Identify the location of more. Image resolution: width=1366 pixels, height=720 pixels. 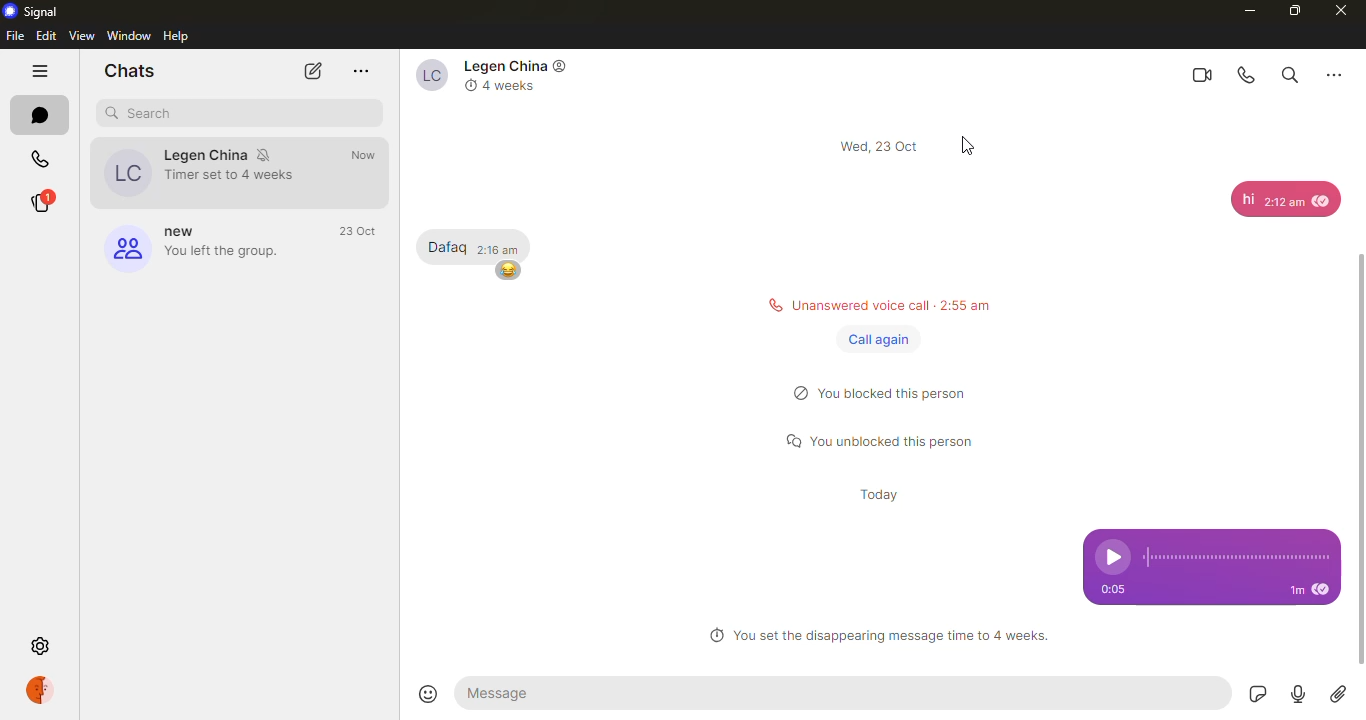
(1333, 75).